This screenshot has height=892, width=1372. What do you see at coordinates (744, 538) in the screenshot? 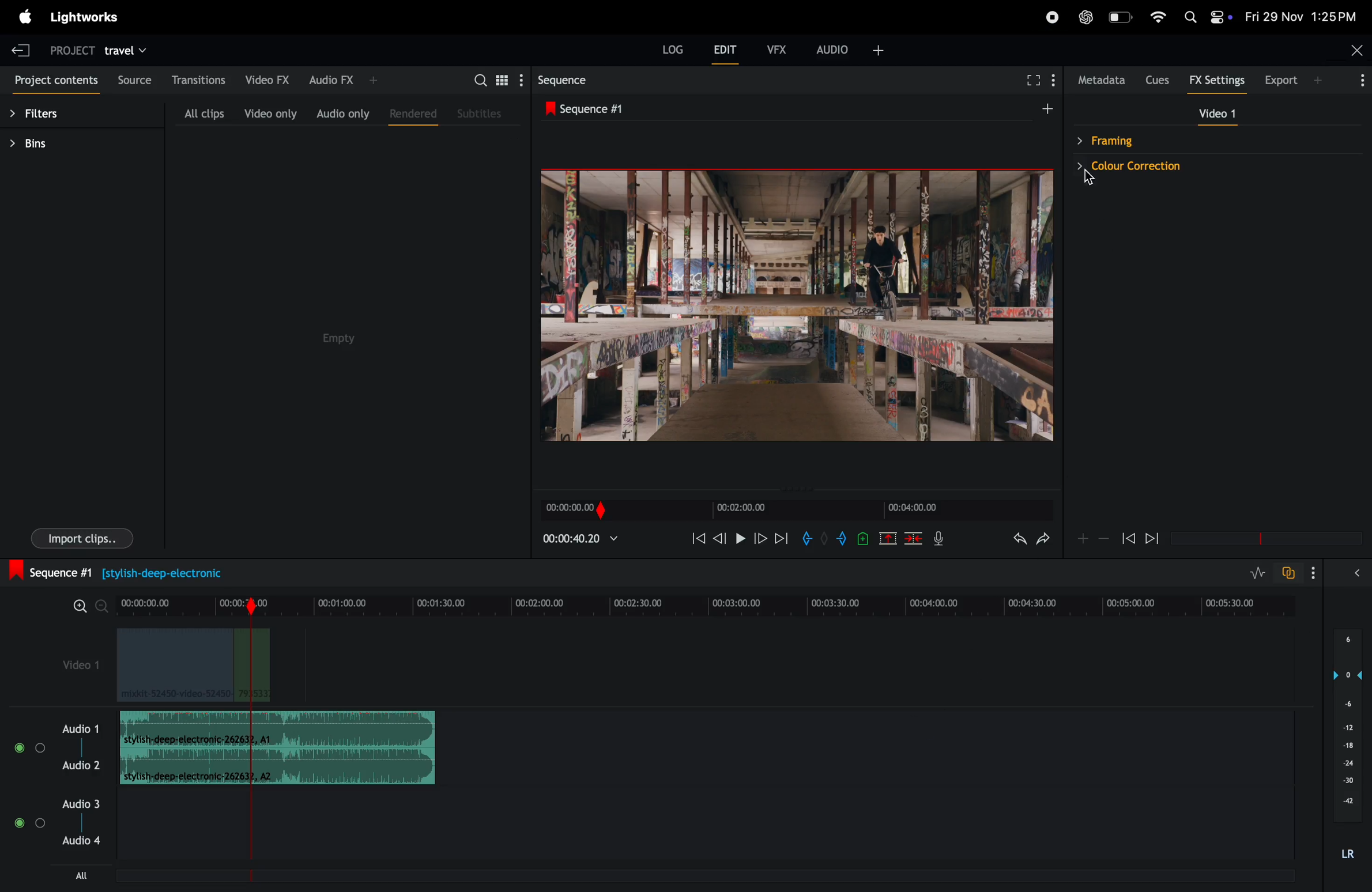
I see `pause and play` at bounding box center [744, 538].